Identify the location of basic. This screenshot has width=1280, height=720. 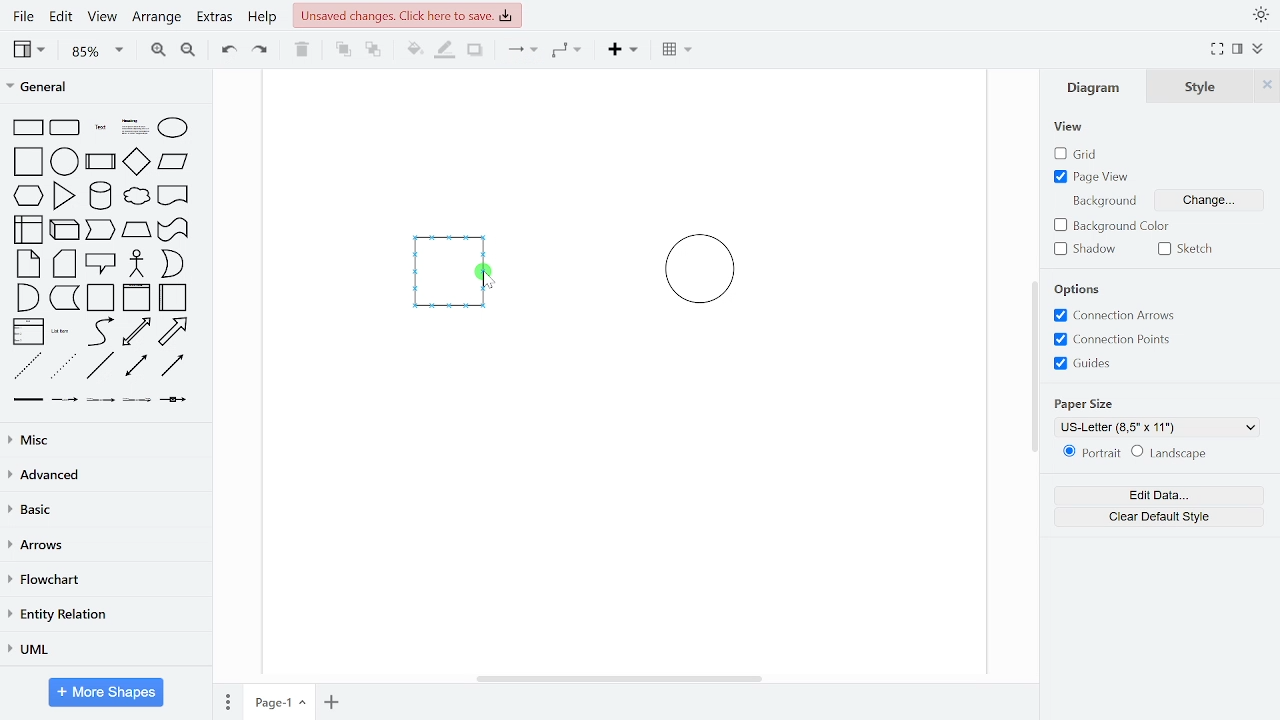
(104, 509).